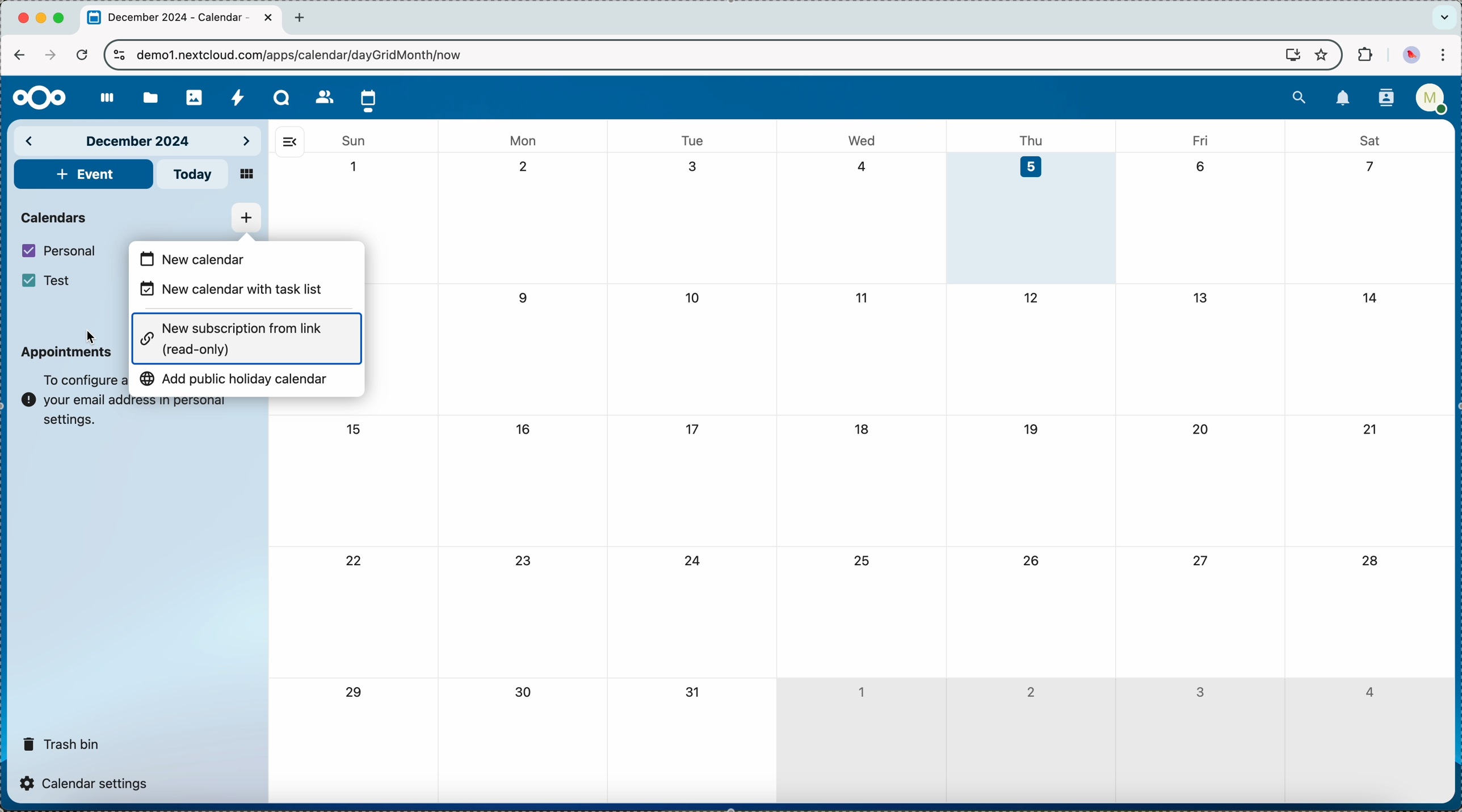 The image size is (1462, 812). I want to click on extensions, so click(1363, 56).